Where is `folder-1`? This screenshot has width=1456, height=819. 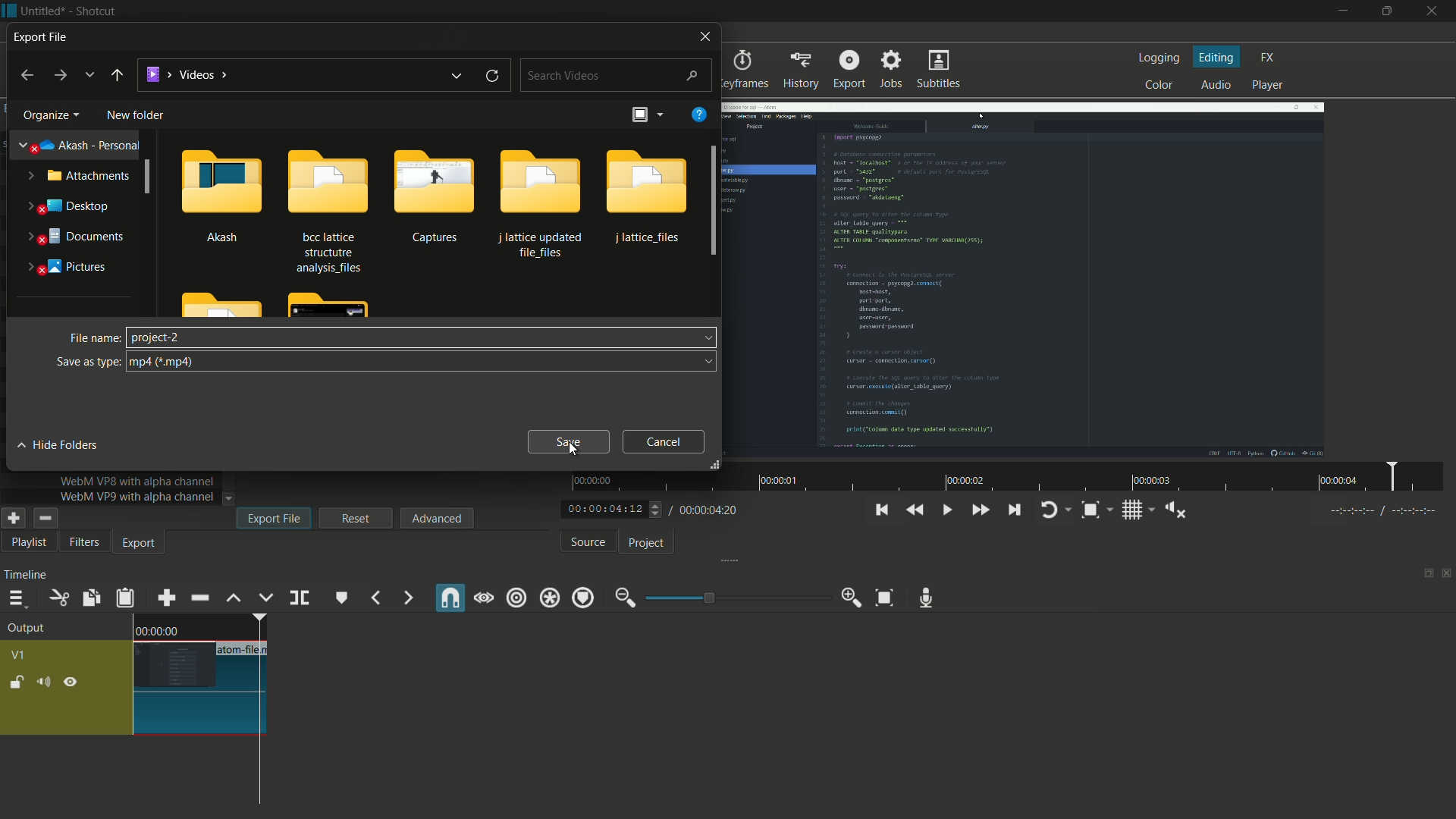
folder-1 is located at coordinates (223, 195).